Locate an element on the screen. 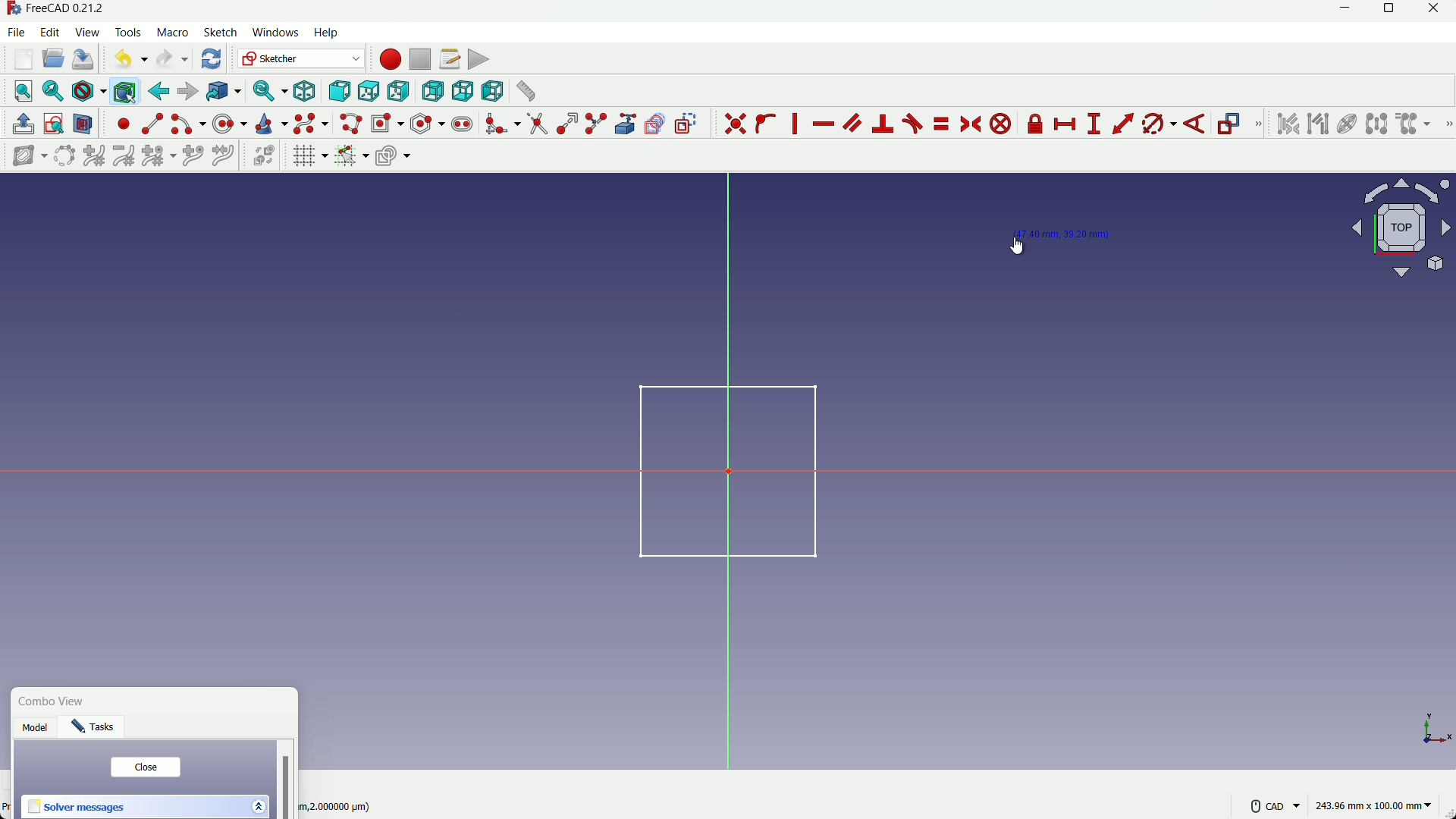  decrease B spiline degree is located at coordinates (124, 155).